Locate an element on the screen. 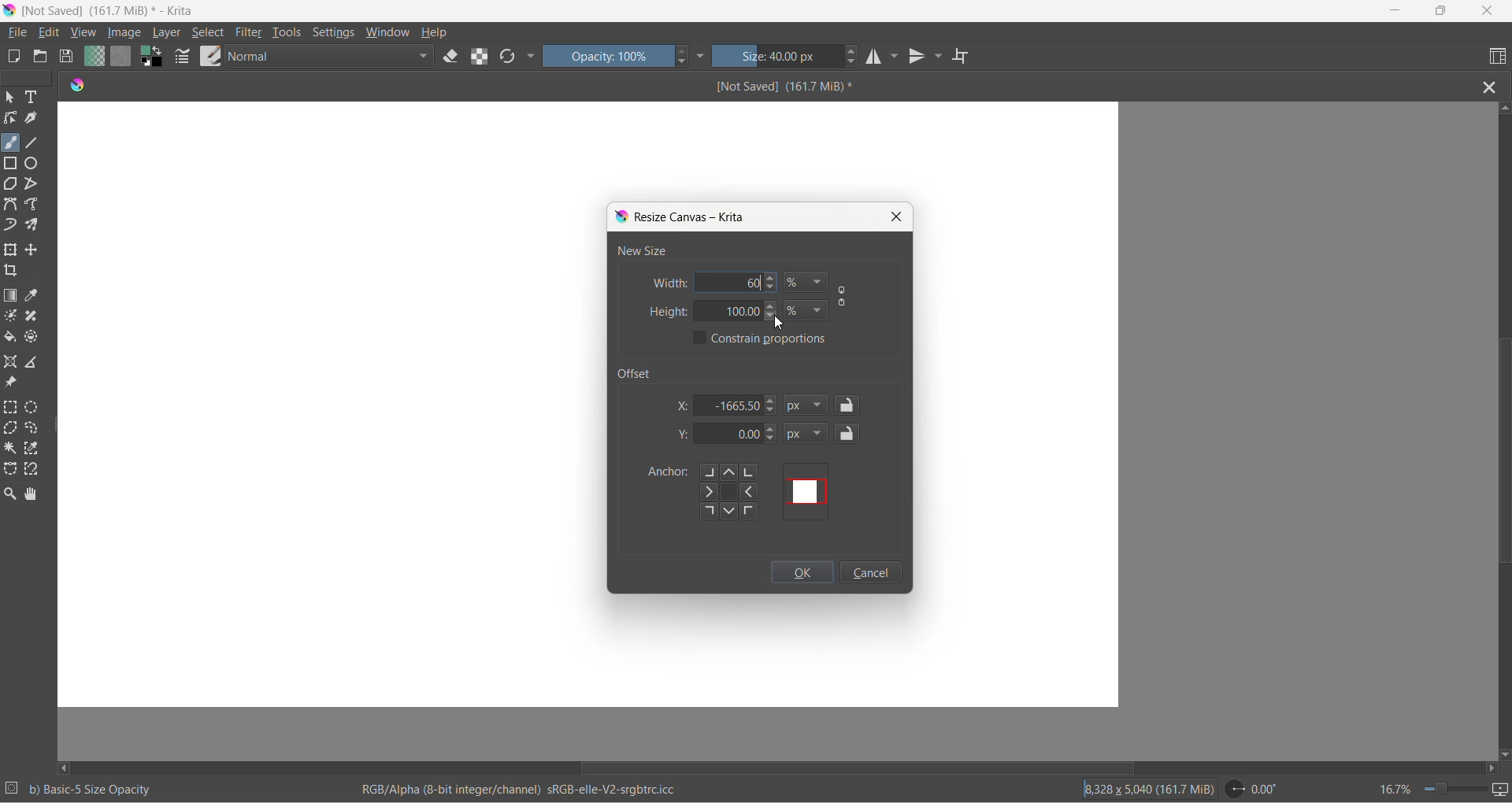 The height and width of the screenshot is (803, 1512). vertical scroll bar is located at coordinates (1500, 454).